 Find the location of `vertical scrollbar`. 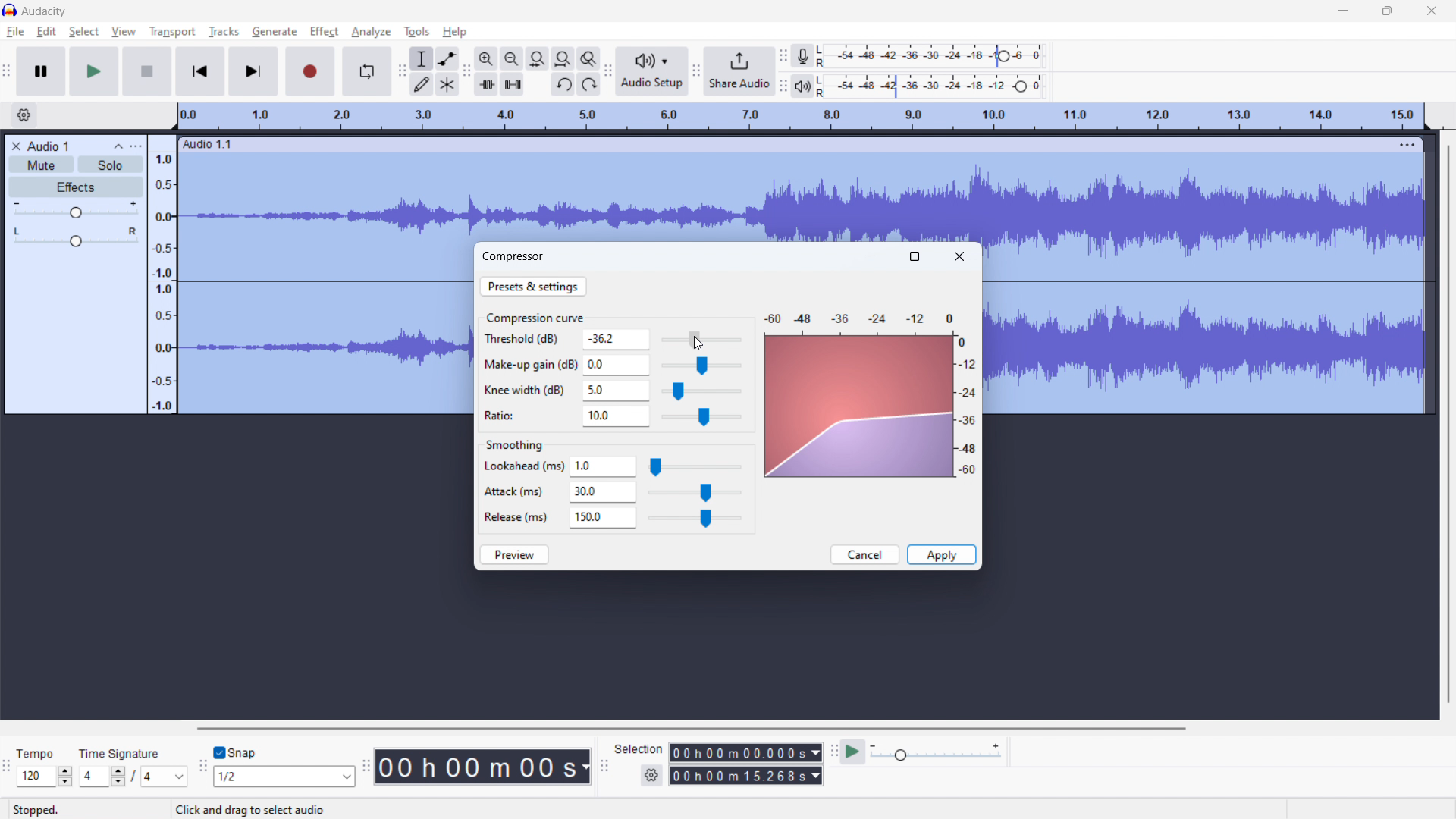

vertical scrollbar is located at coordinates (1449, 419).